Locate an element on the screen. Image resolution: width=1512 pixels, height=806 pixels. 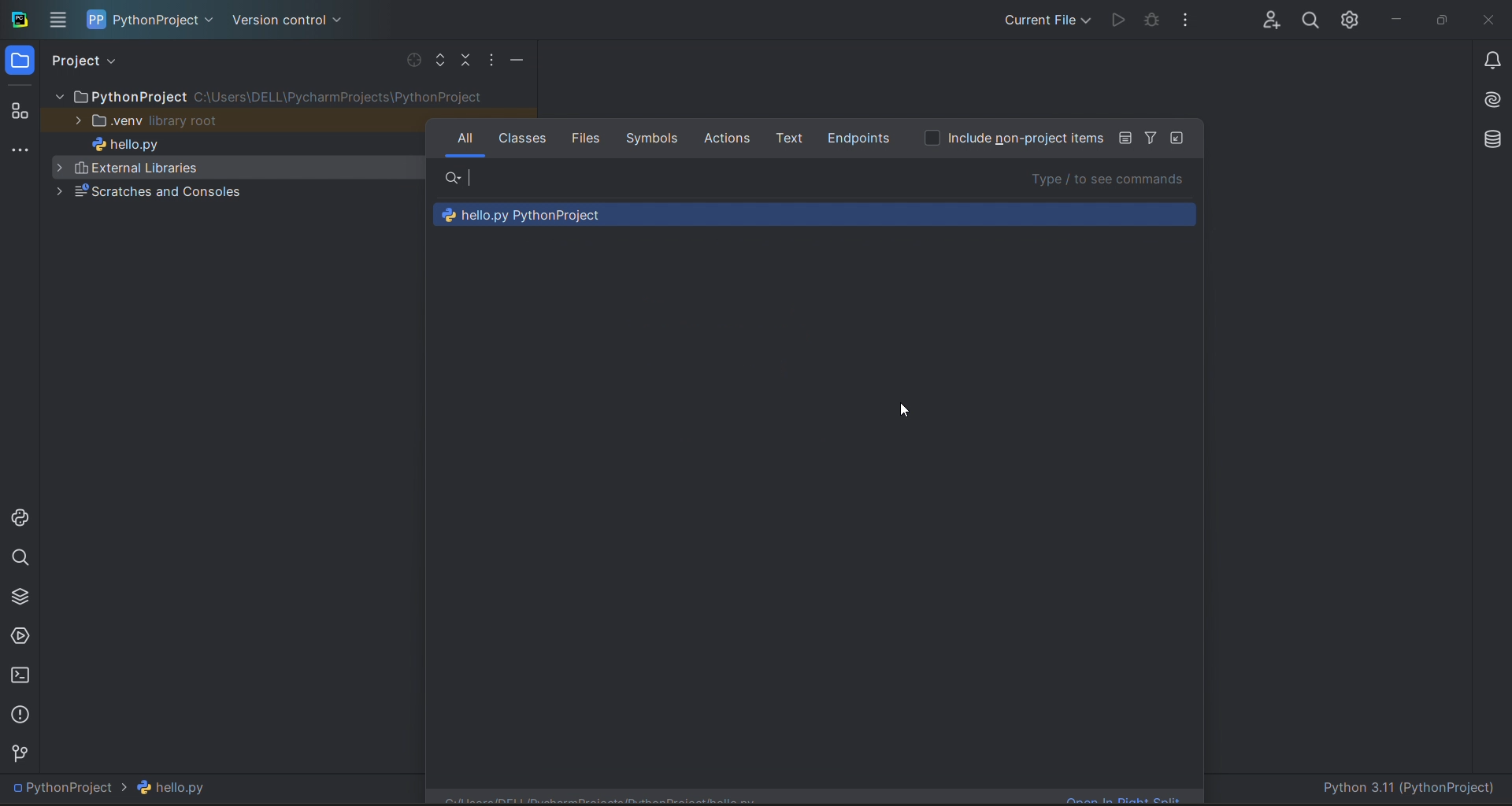
python console is located at coordinates (20, 518).